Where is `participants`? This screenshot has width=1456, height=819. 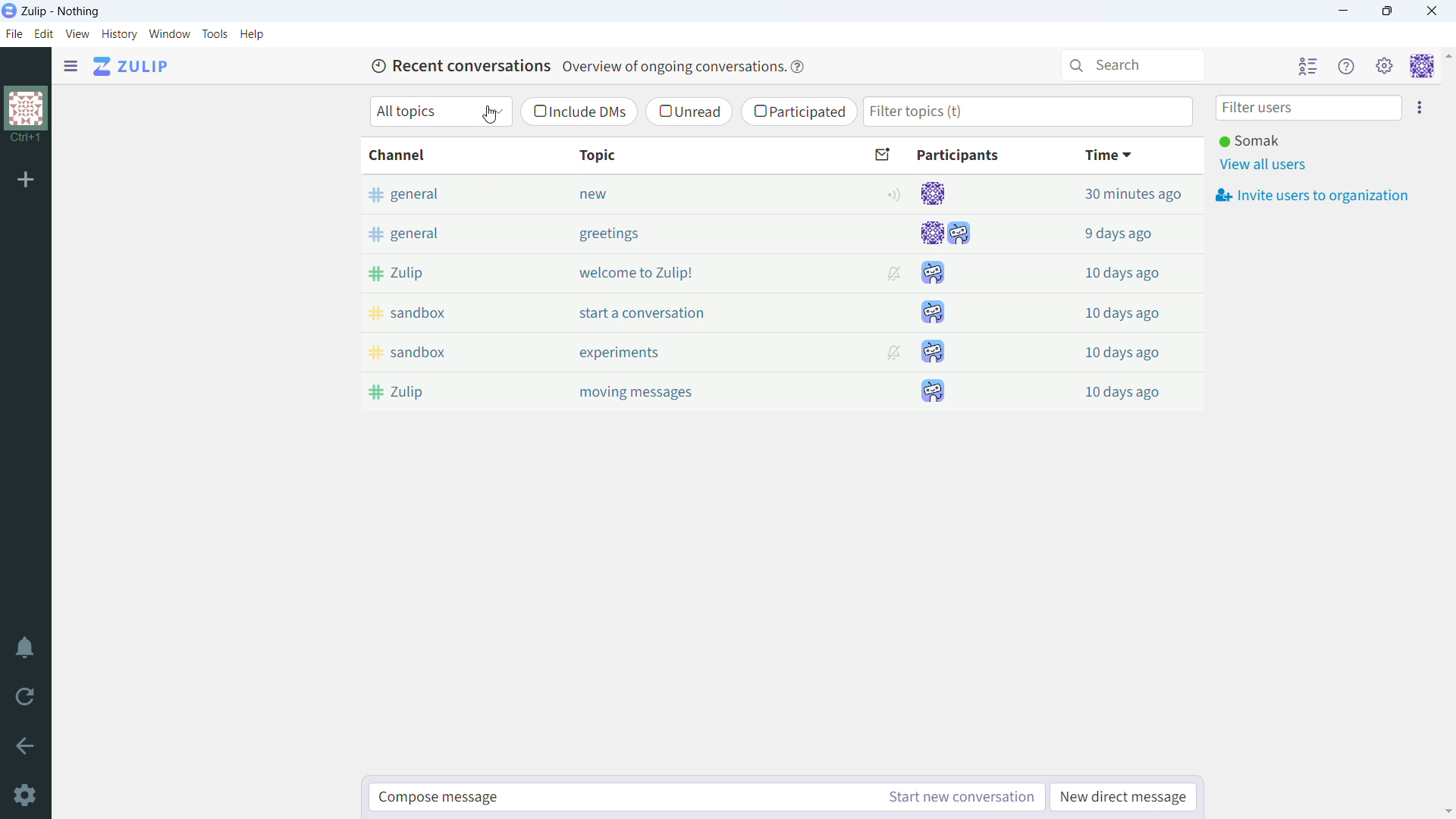
participants is located at coordinates (946, 293).